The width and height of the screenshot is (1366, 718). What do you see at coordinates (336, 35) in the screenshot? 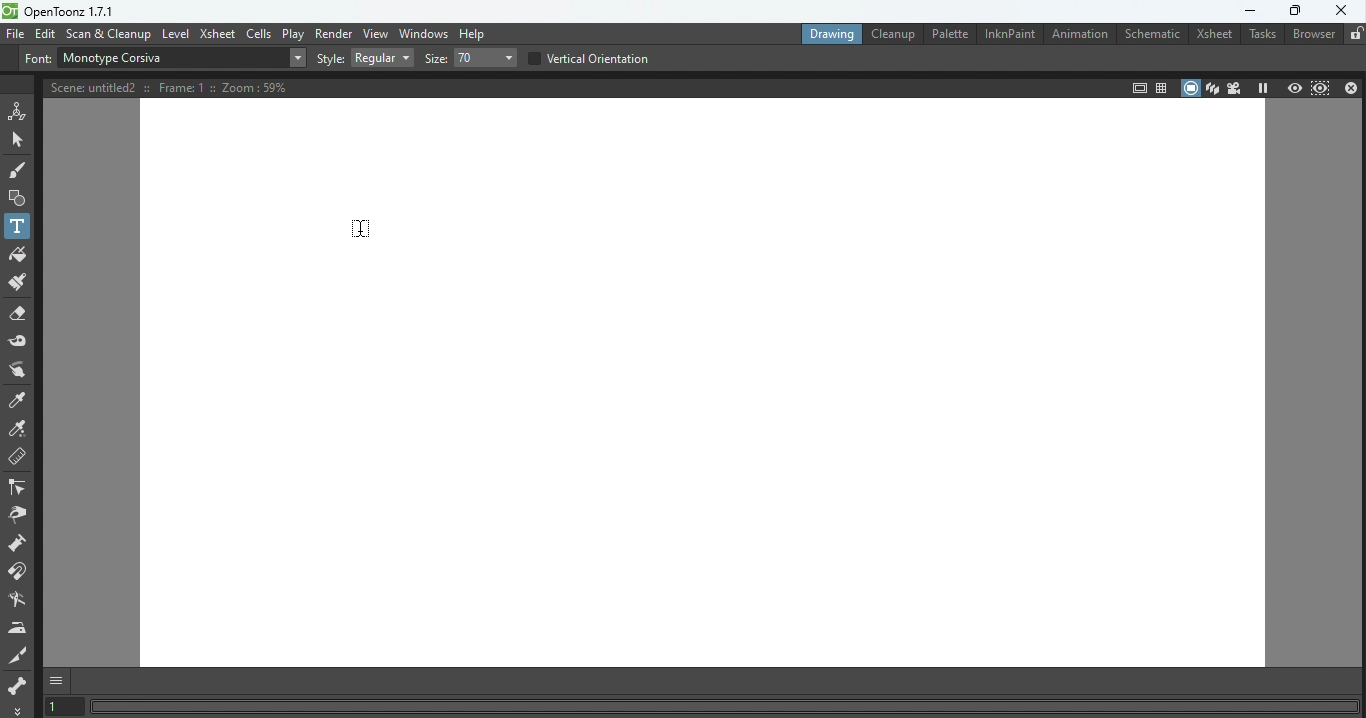
I see `Render` at bounding box center [336, 35].